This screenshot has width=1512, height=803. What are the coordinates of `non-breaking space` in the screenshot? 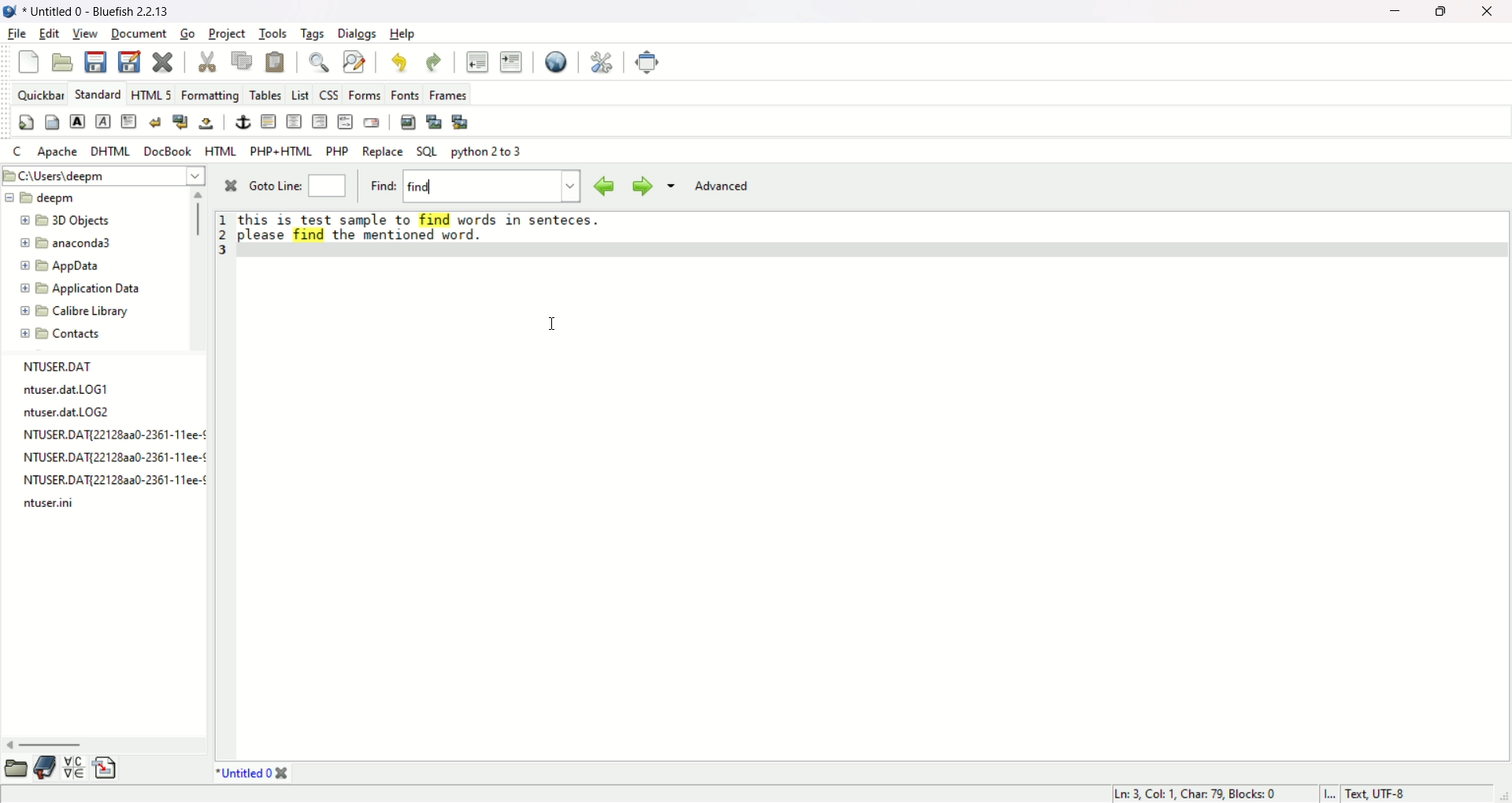 It's located at (206, 123).